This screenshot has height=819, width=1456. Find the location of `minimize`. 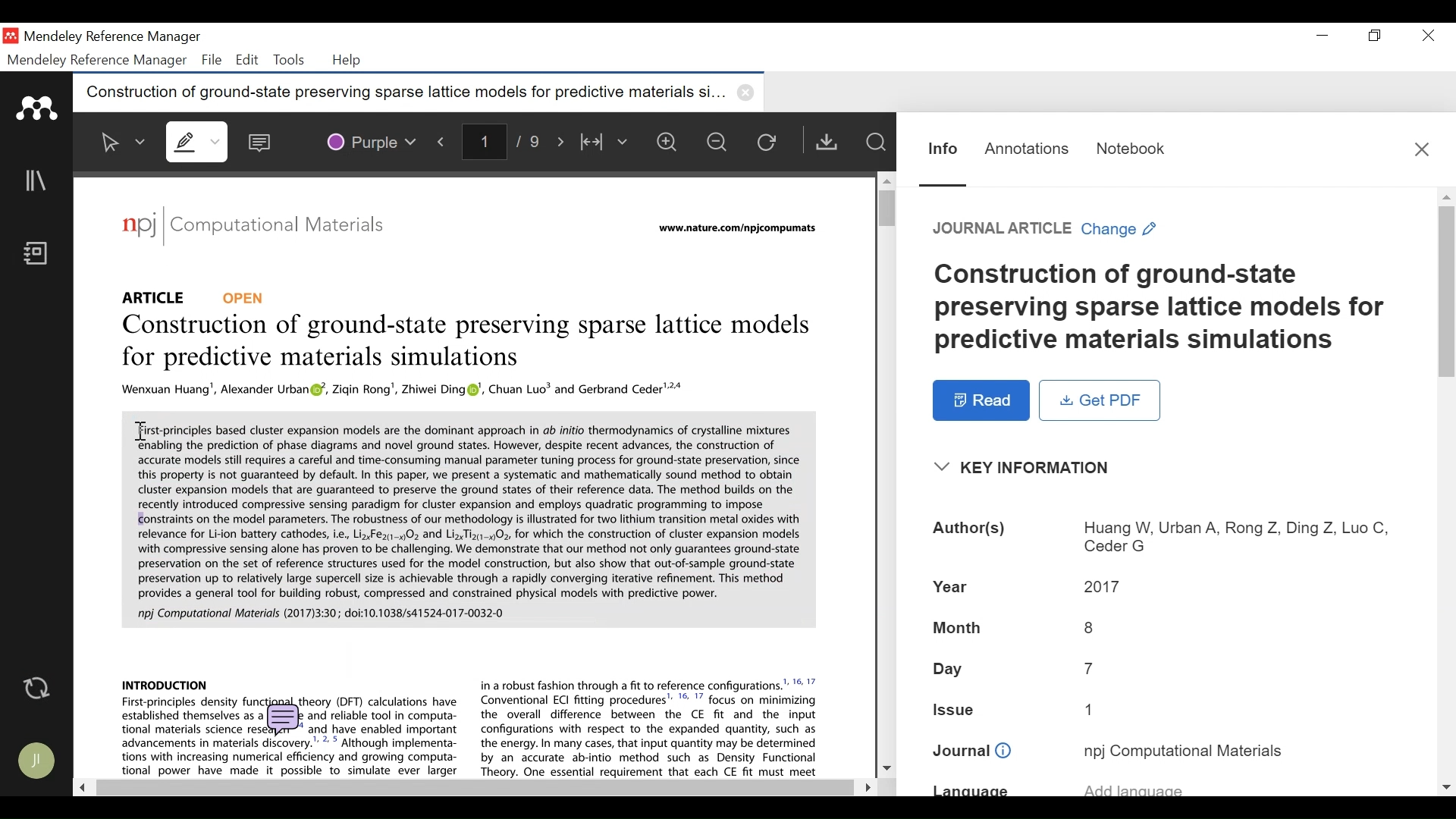

minimize is located at coordinates (1323, 36).